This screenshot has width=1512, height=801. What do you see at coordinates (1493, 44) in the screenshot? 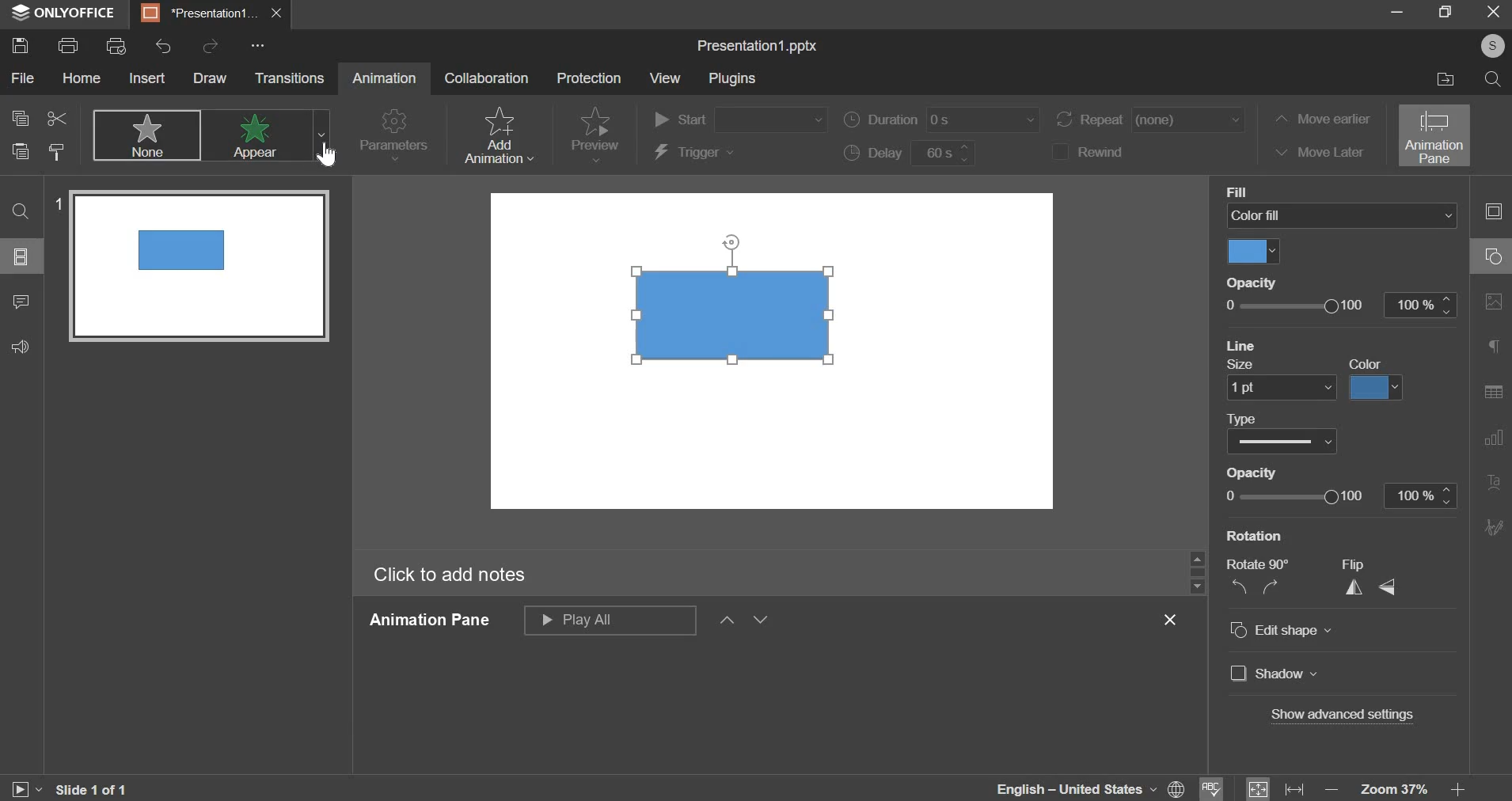
I see `Profile` at bounding box center [1493, 44].